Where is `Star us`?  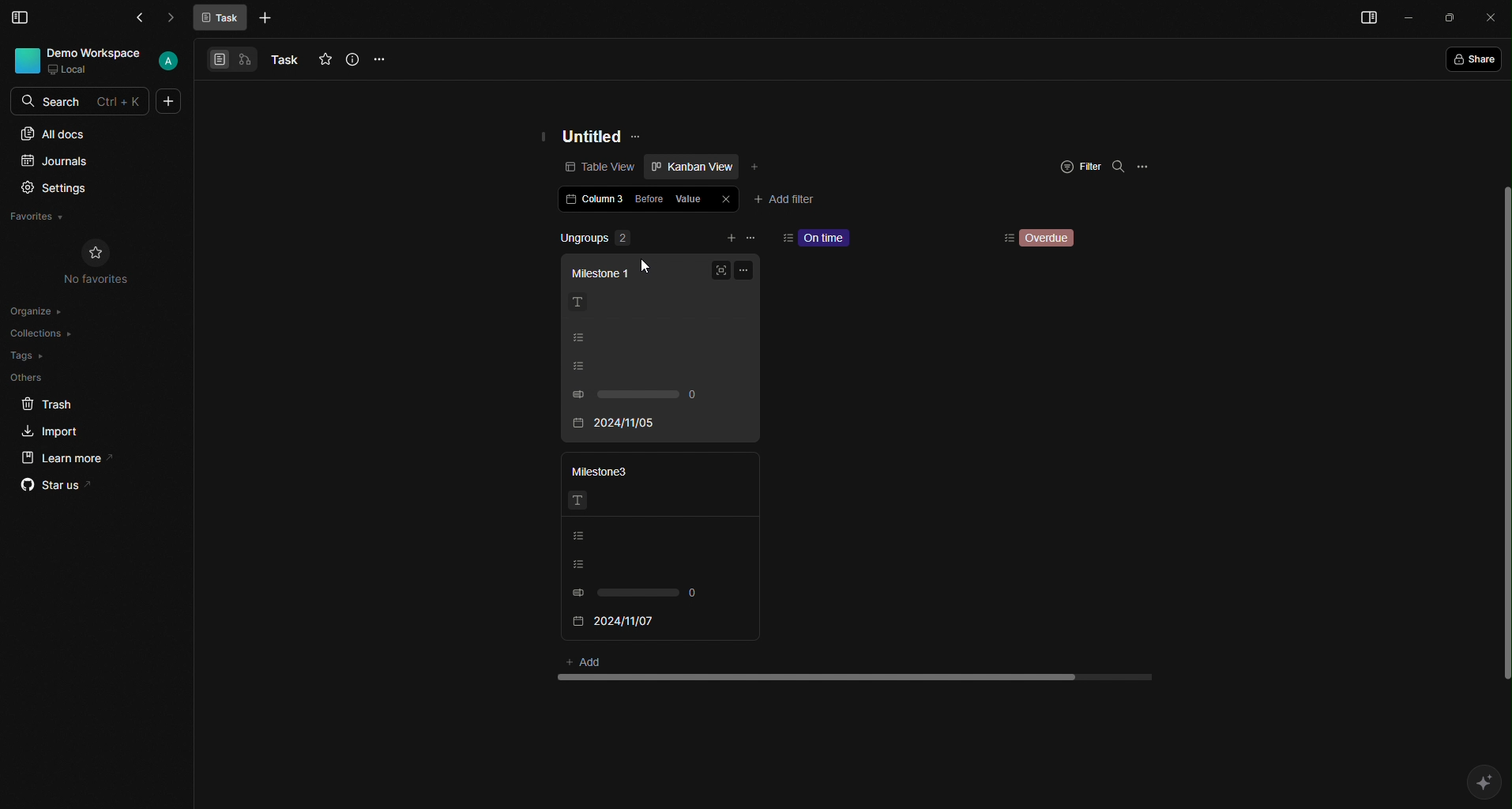 Star us is located at coordinates (51, 487).